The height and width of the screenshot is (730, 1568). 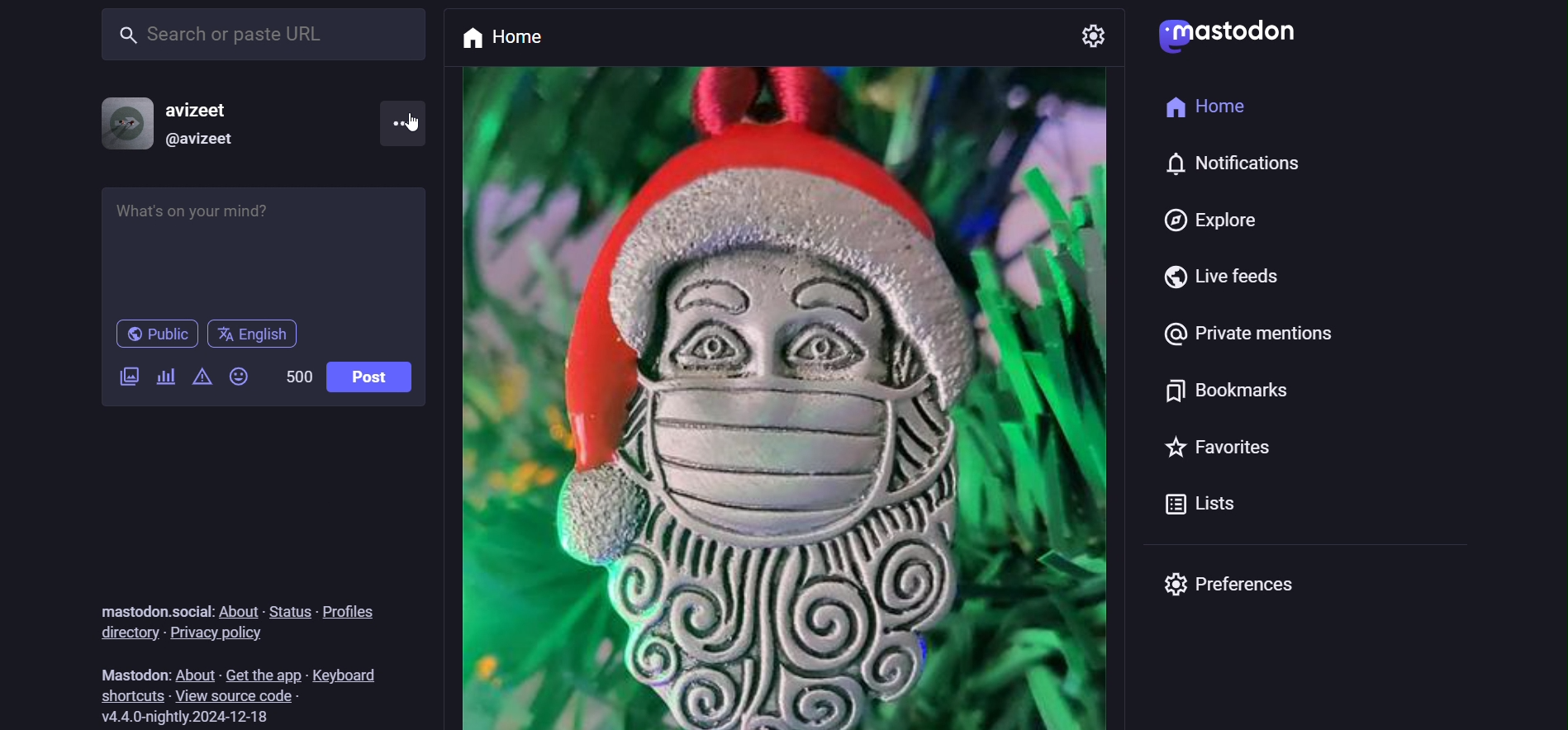 What do you see at coordinates (164, 380) in the screenshot?
I see `add a poll` at bounding box center [164, 380].